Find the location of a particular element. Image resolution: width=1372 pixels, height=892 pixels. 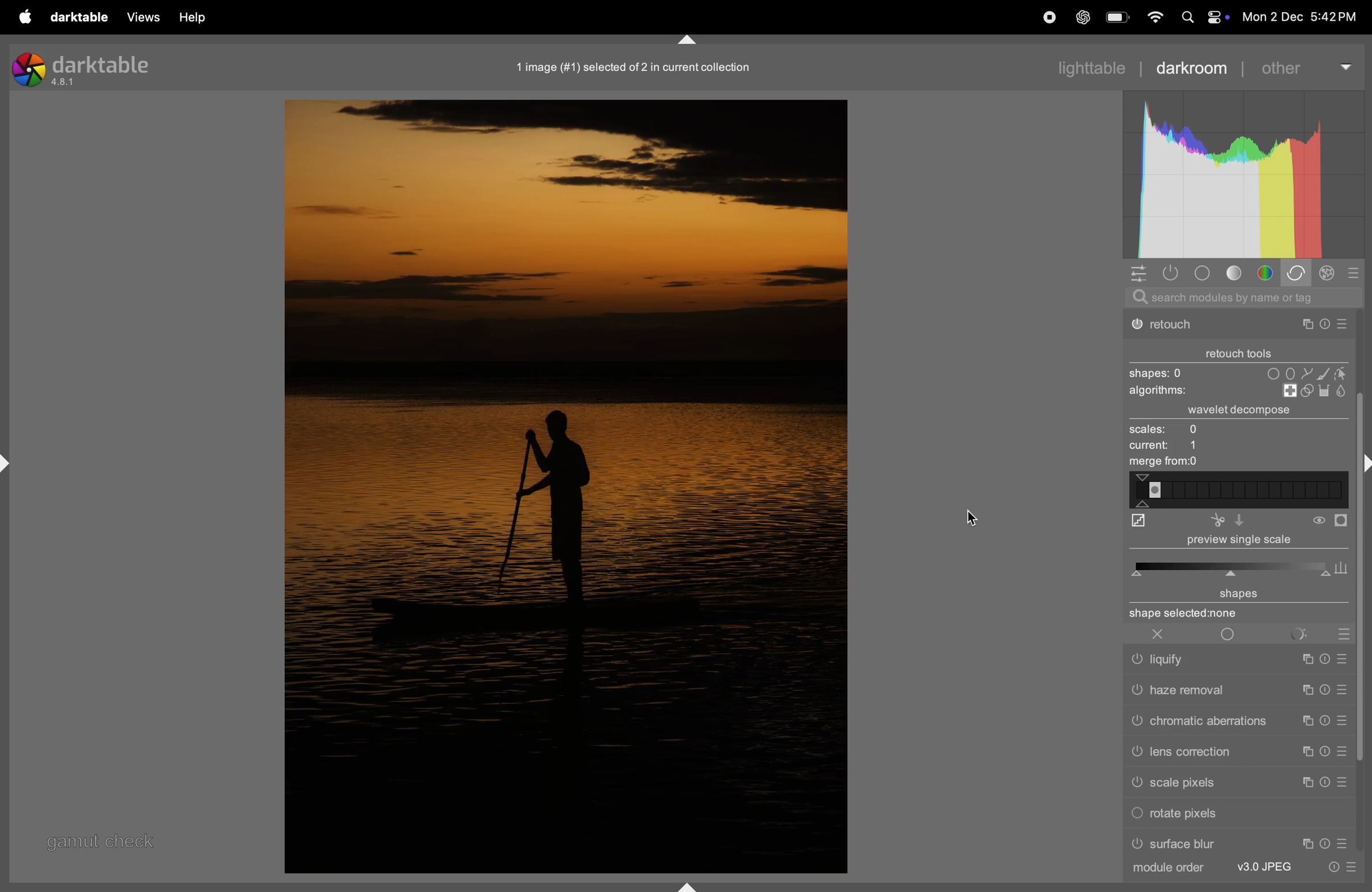

collapse is located at coordinates (687, 39).